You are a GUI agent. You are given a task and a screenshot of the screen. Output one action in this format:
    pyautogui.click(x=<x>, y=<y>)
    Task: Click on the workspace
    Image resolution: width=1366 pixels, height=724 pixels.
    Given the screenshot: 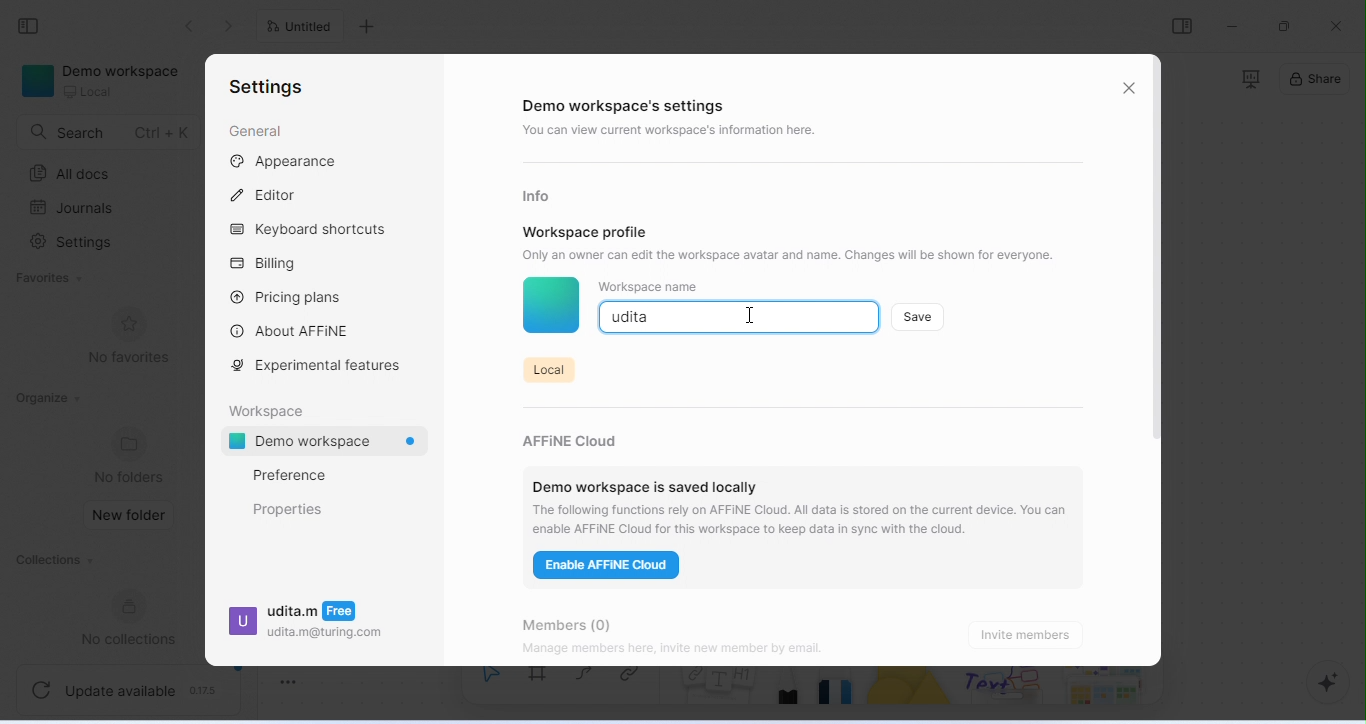 What is the action you would take?
    pyautogui.click(x=271, y=409)
    